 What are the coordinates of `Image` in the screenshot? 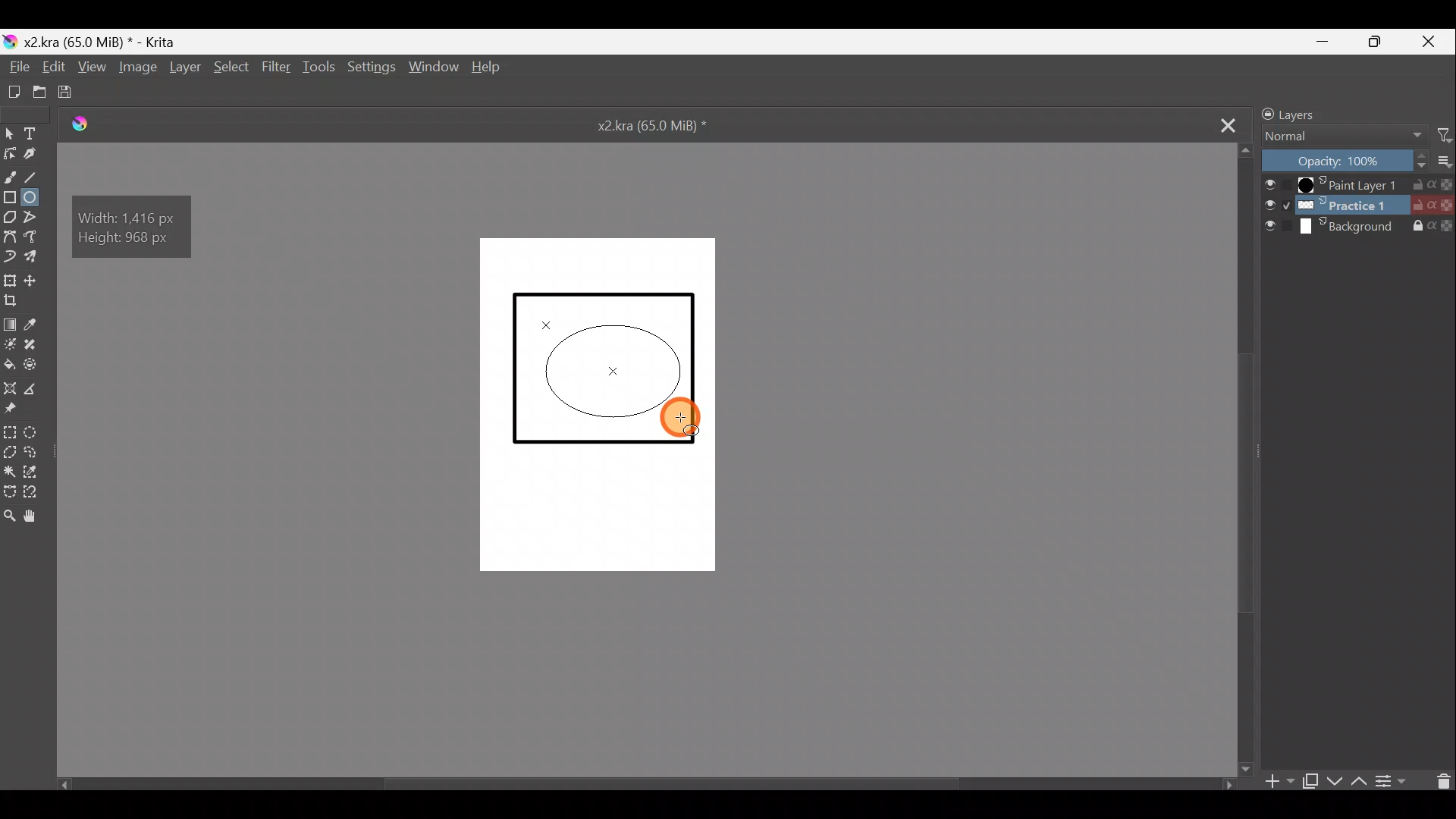 It's located at (139, 69).